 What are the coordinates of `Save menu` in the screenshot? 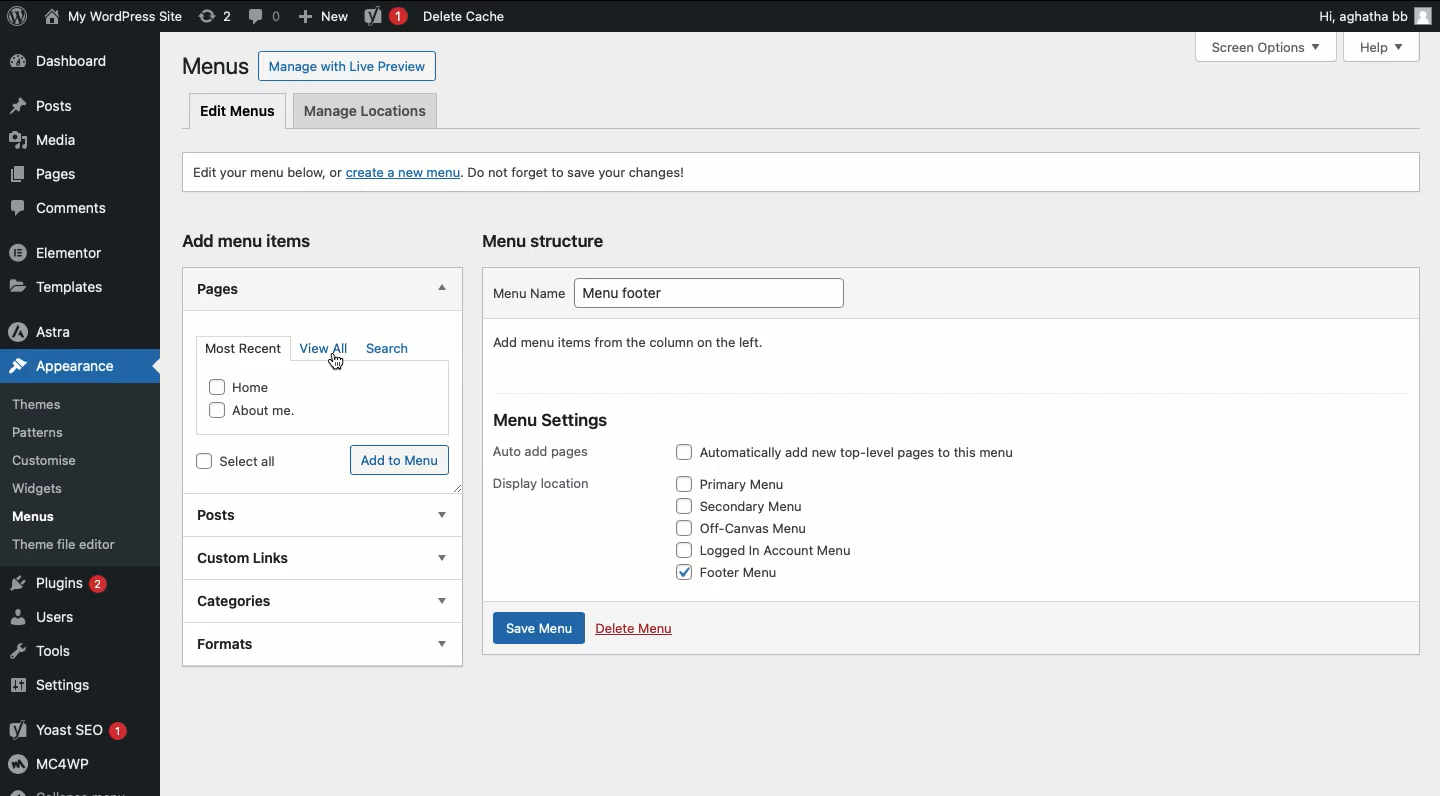 It's located at (540, 630).